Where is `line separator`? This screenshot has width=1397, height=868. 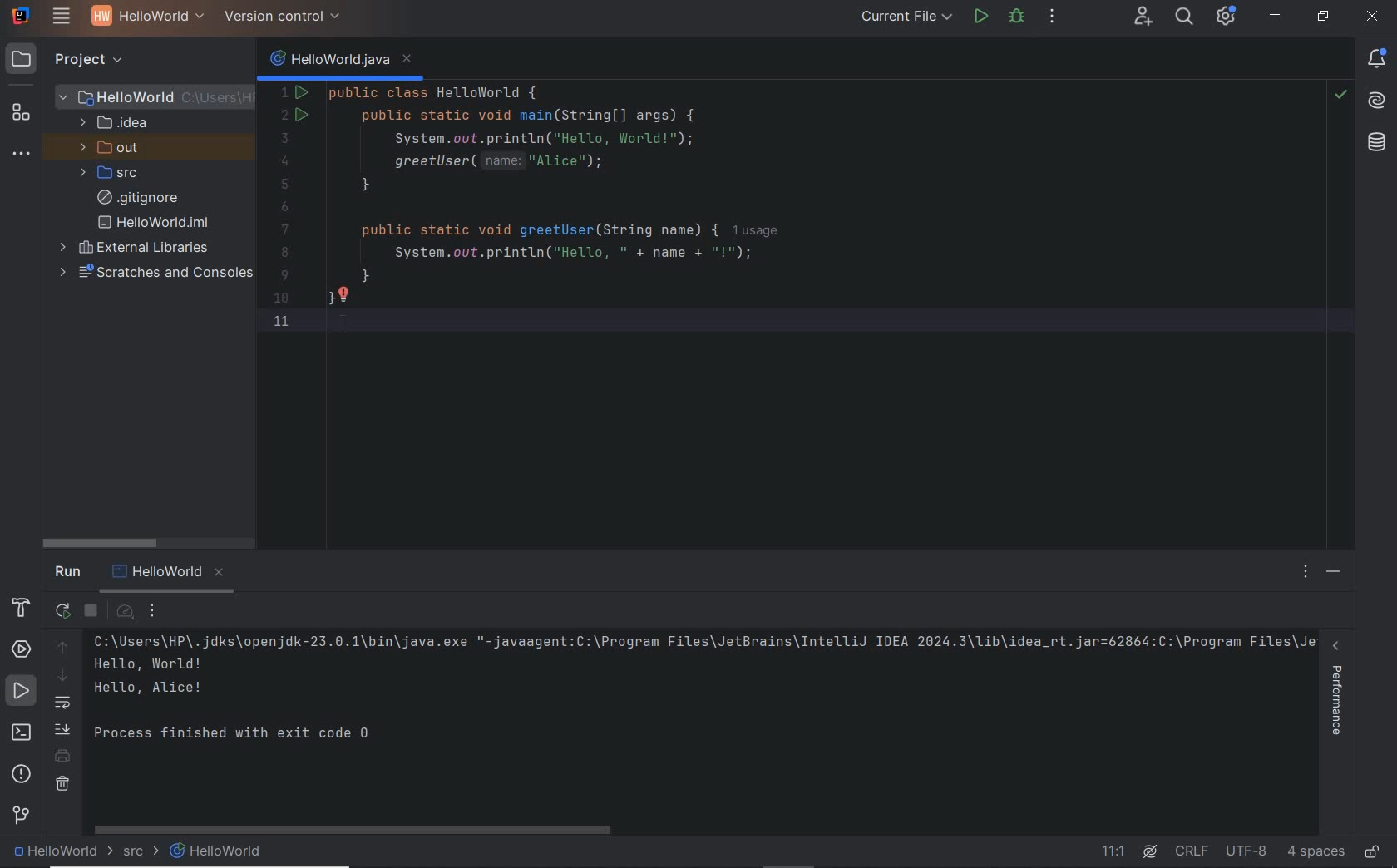 line separator is located at coordinates (1194, 851).